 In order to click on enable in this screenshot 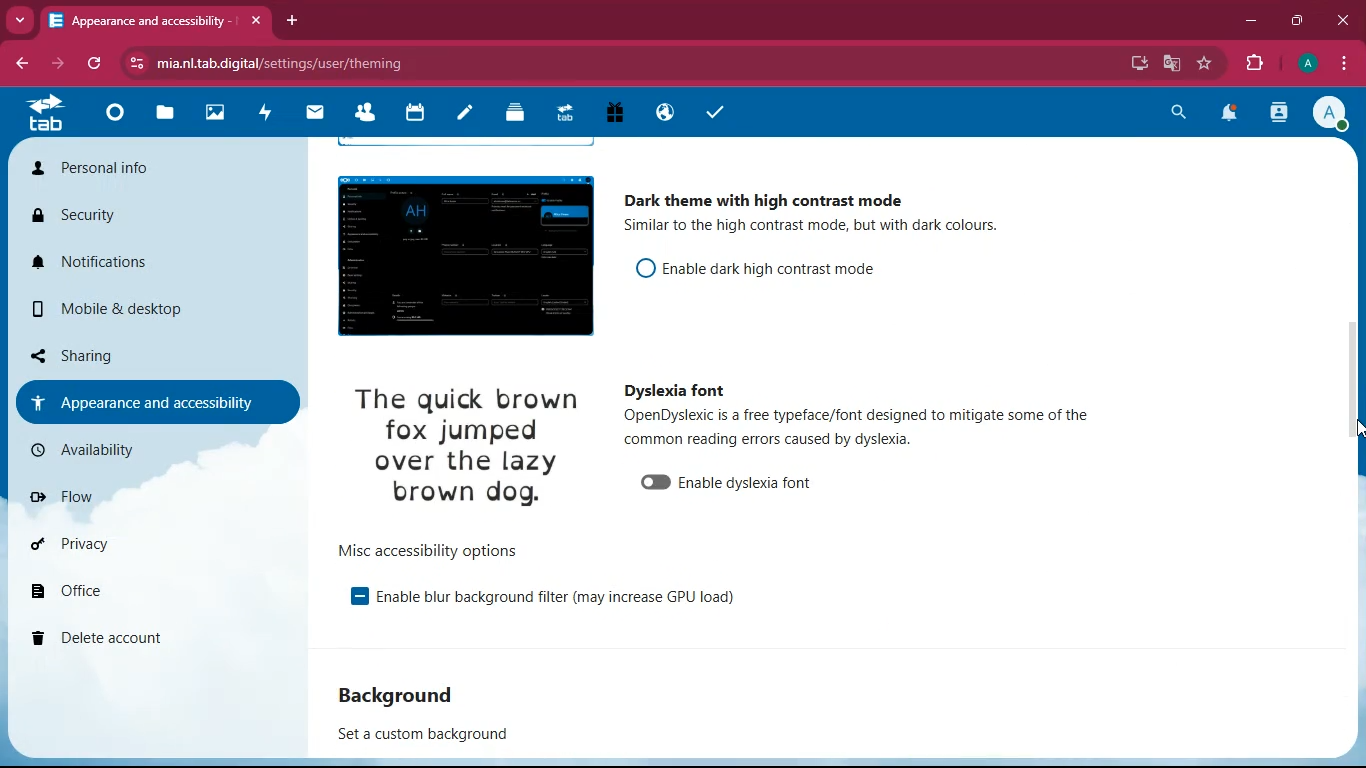, I will do `click(750, 486)`.